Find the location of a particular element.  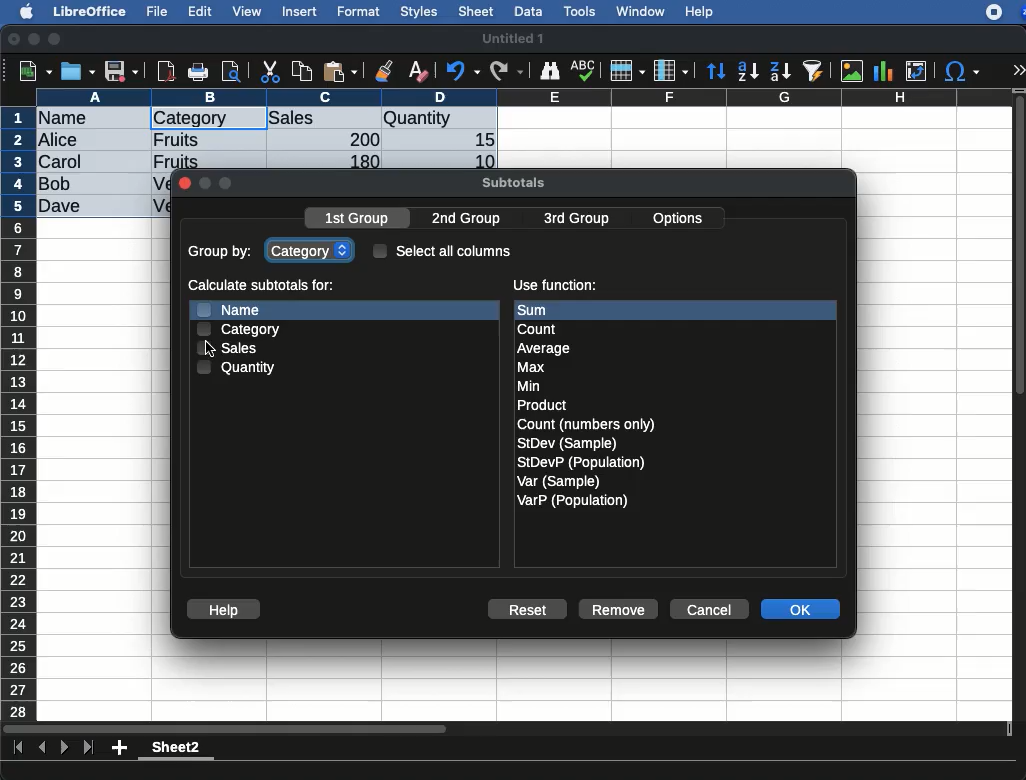

SitDevP (Population) is located at coordinates (582, 462).